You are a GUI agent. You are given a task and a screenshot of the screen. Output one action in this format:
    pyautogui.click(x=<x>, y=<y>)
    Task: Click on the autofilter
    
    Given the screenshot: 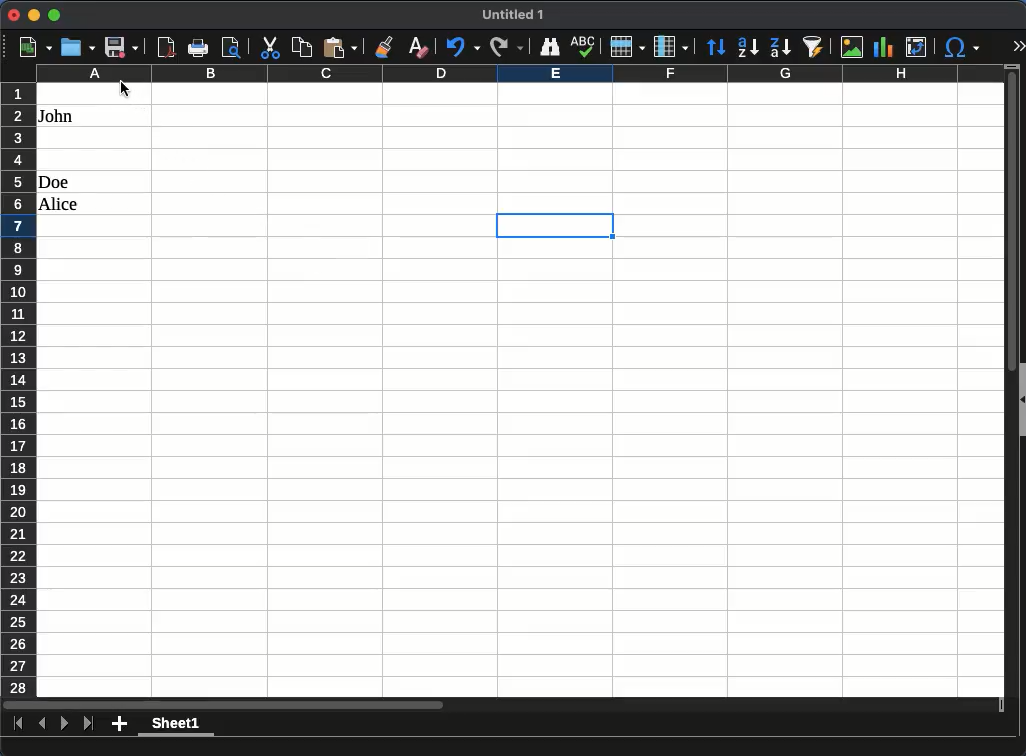 What is the action you would take?
    pyautogui.click(x=813, y=46)
    